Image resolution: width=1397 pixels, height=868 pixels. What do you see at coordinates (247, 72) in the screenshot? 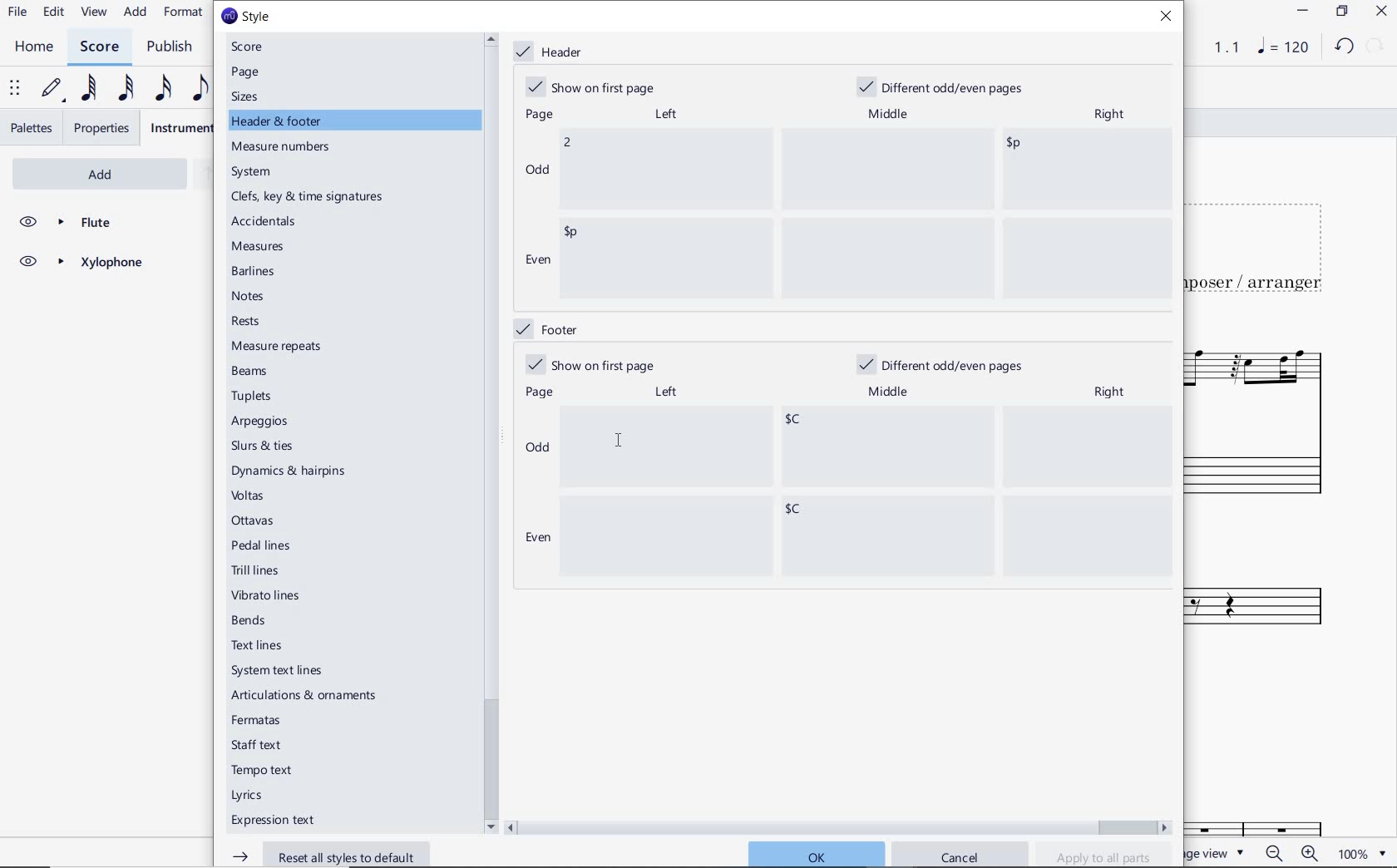
I see `page` at bounding box center [247, 72].